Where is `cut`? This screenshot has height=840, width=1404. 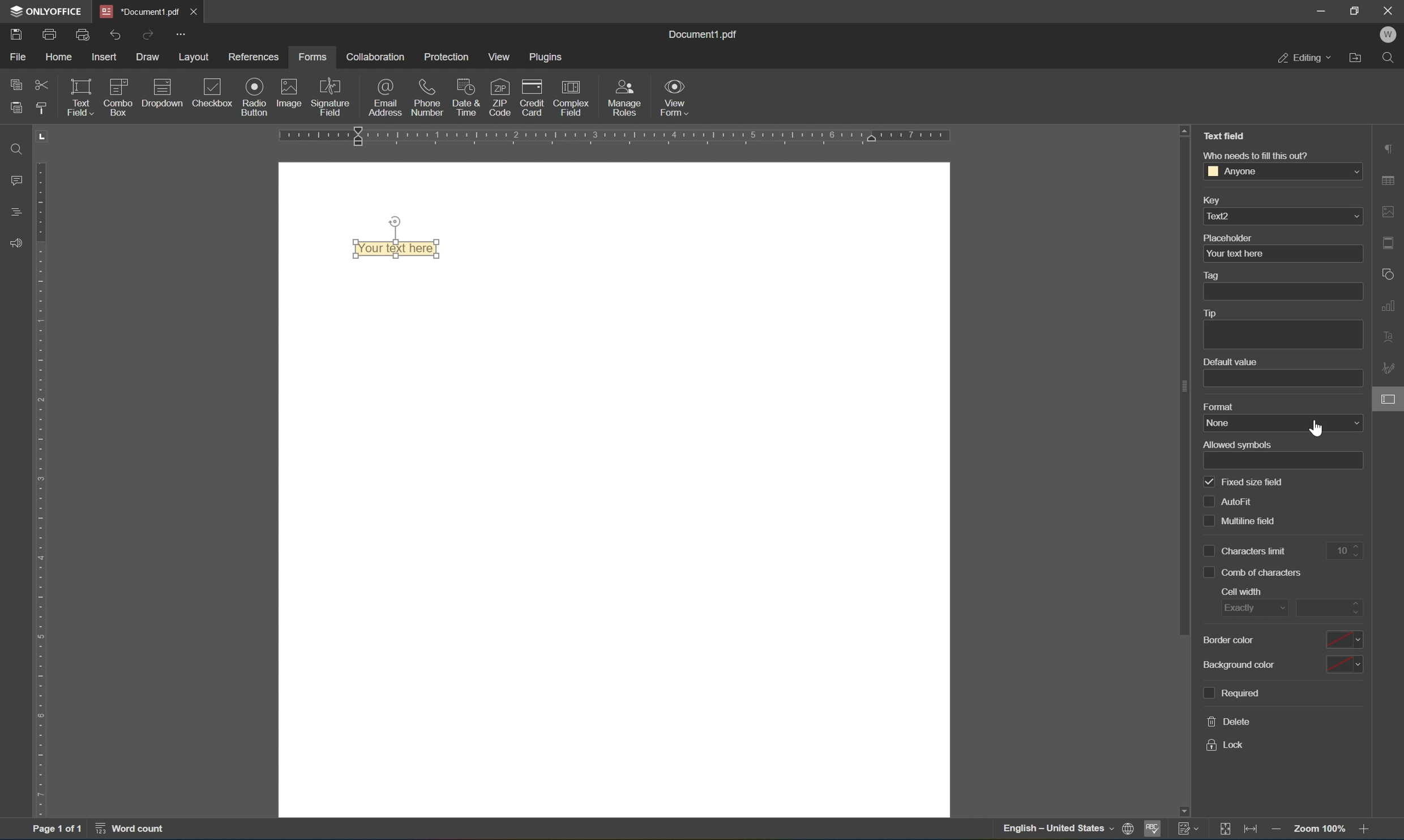 cut is located at coordinates (42, 84).